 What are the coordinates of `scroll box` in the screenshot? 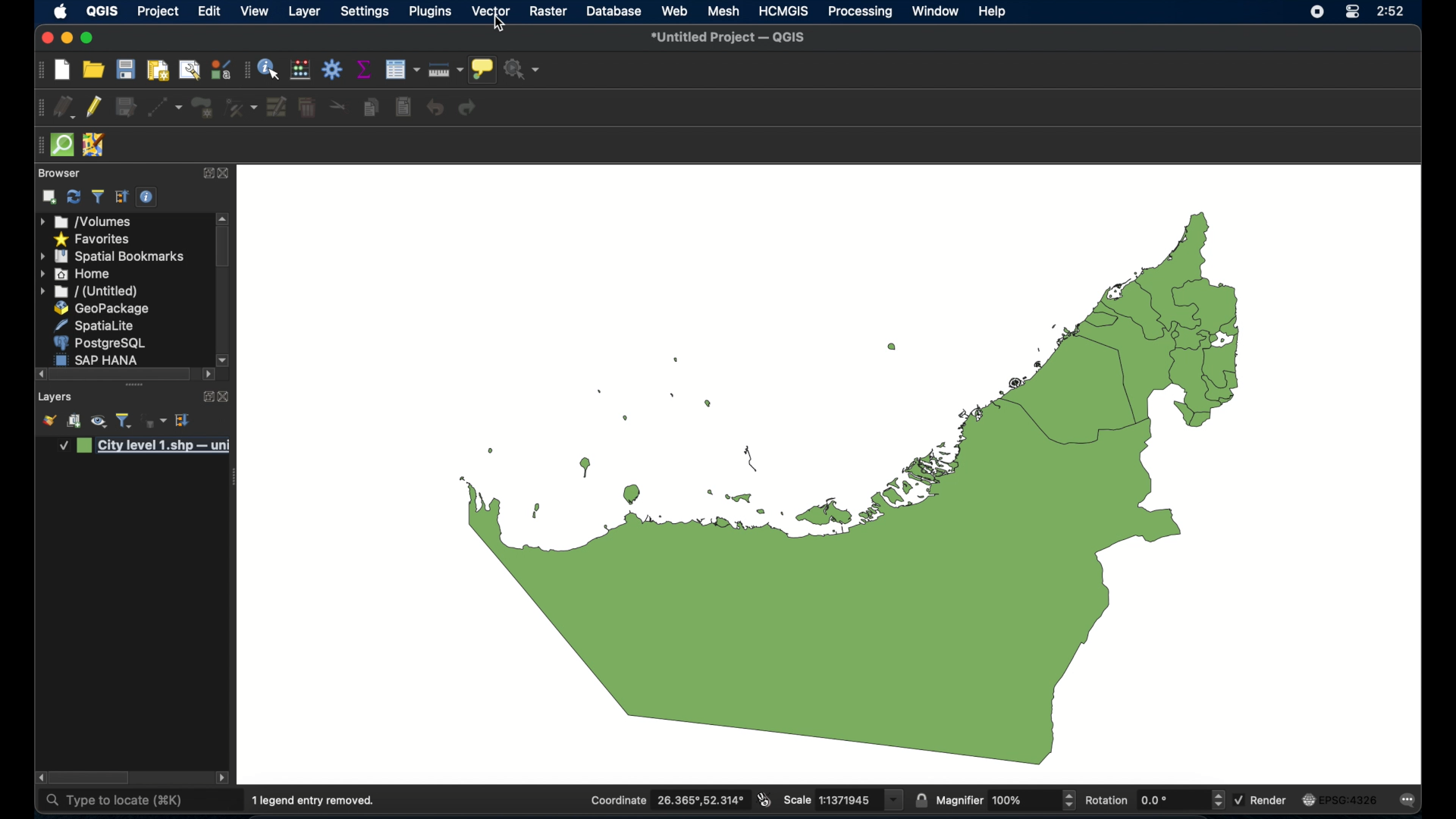 It's located at (123, 374).